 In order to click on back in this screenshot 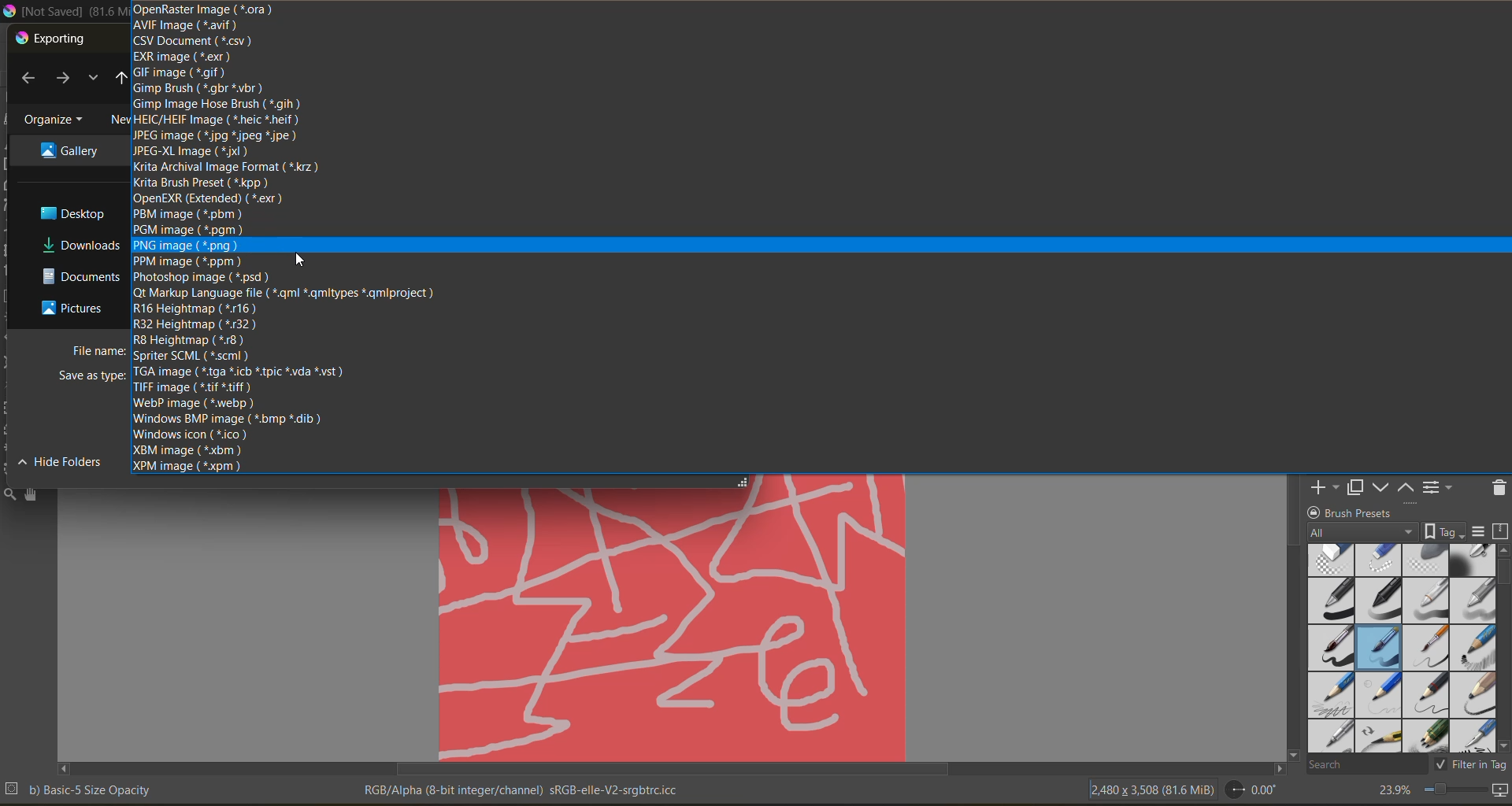, I will do `click(33, 80)`.